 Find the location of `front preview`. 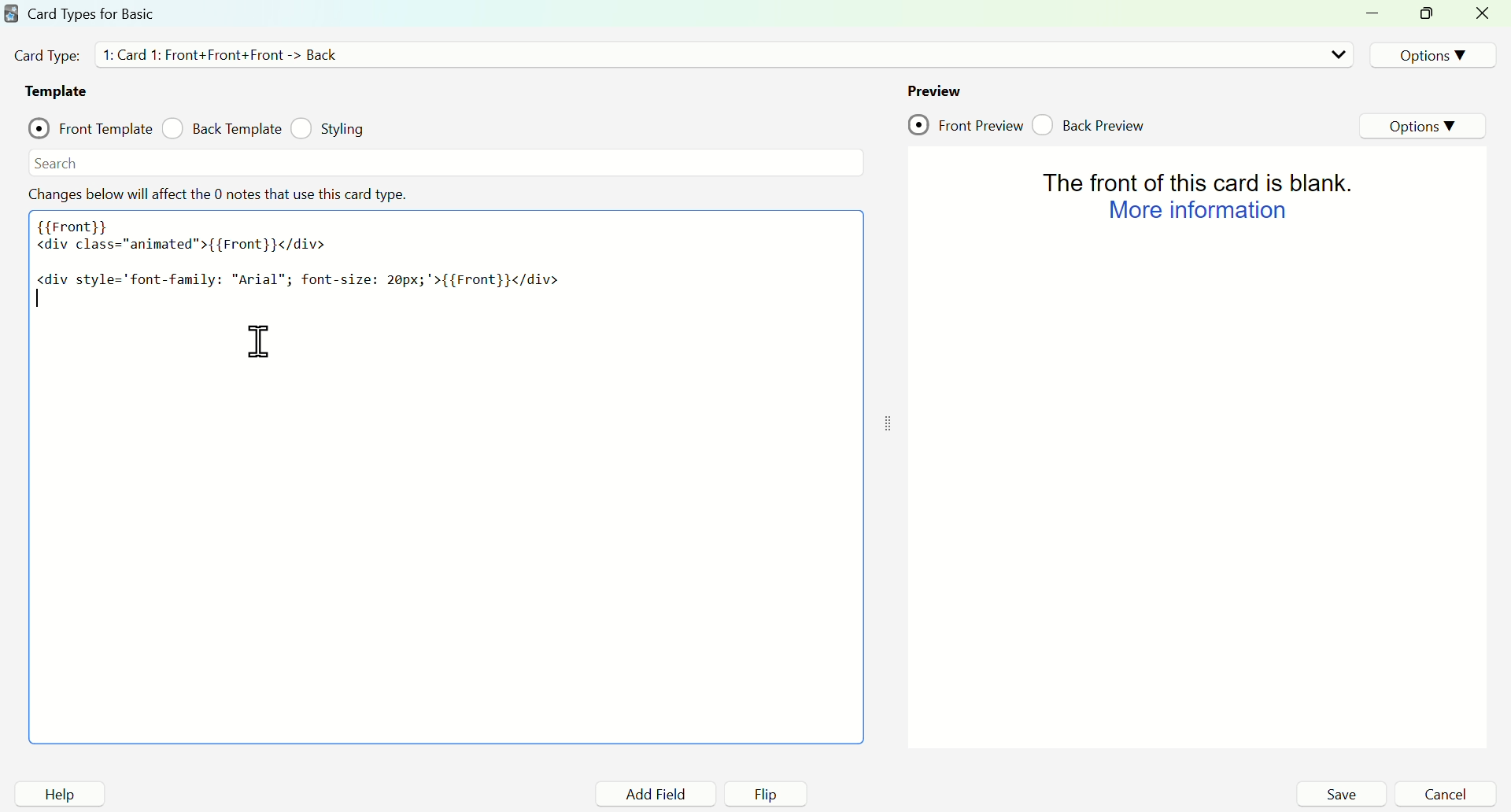

front preview is located at coordinates (966, 126).